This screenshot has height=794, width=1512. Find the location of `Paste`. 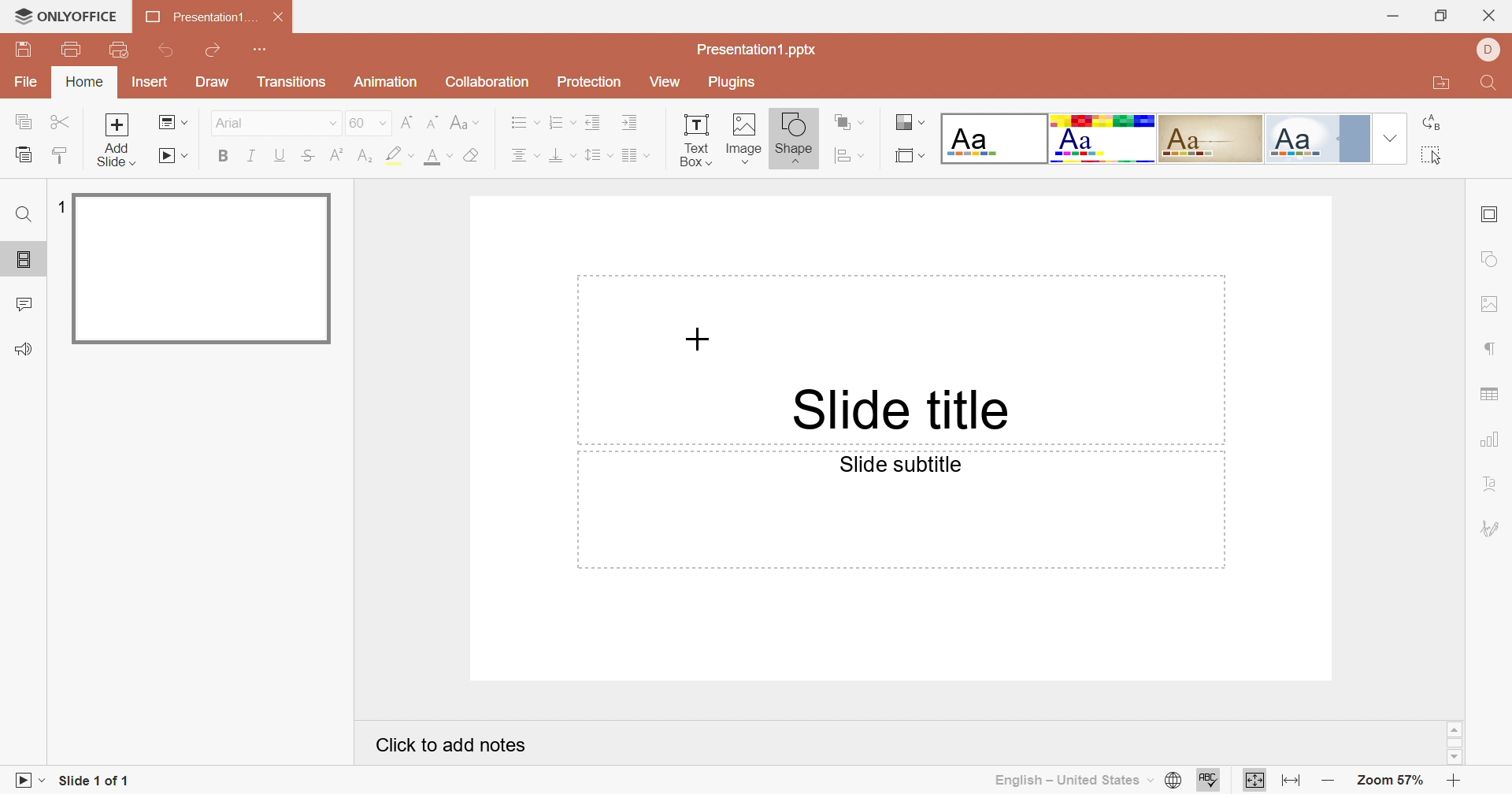

Paste is located at coordinates (22, 154).